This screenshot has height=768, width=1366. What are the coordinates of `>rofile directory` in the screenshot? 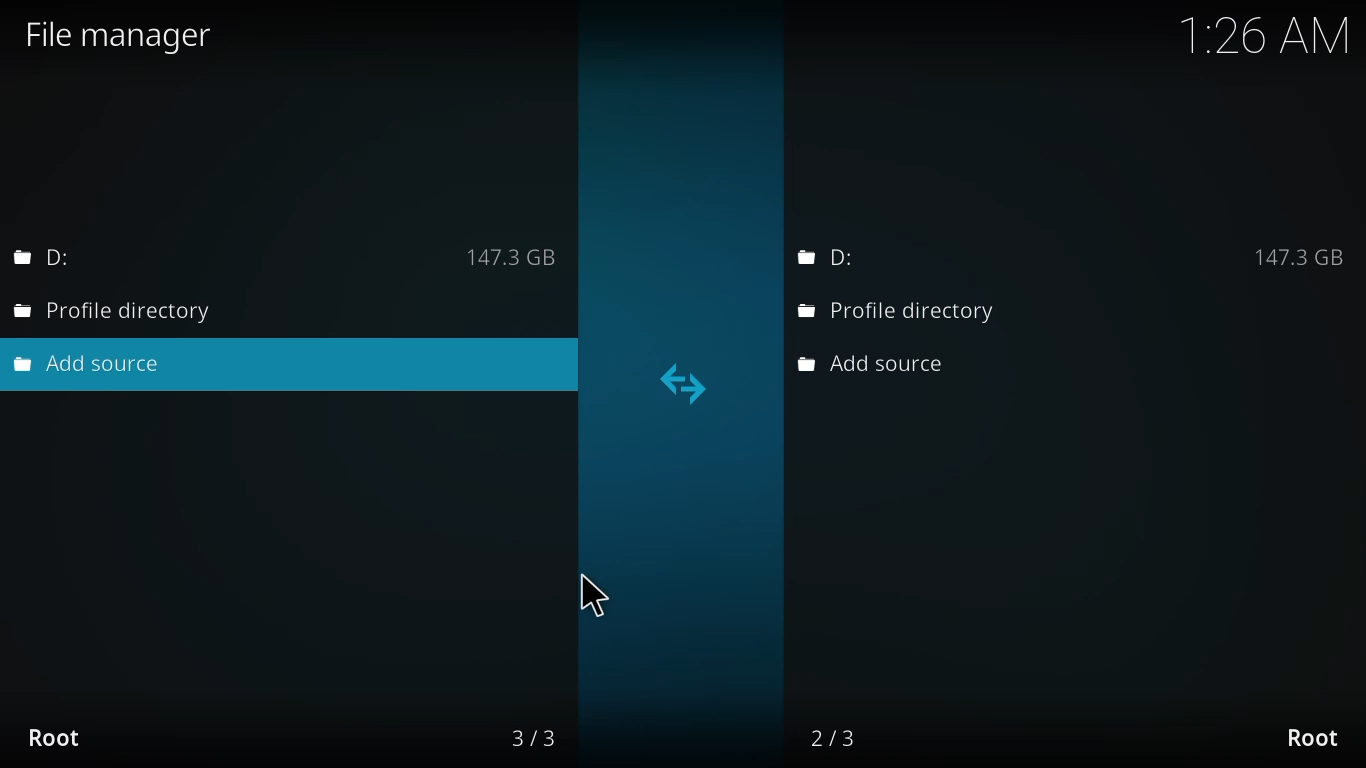 It's located at (895, 313).